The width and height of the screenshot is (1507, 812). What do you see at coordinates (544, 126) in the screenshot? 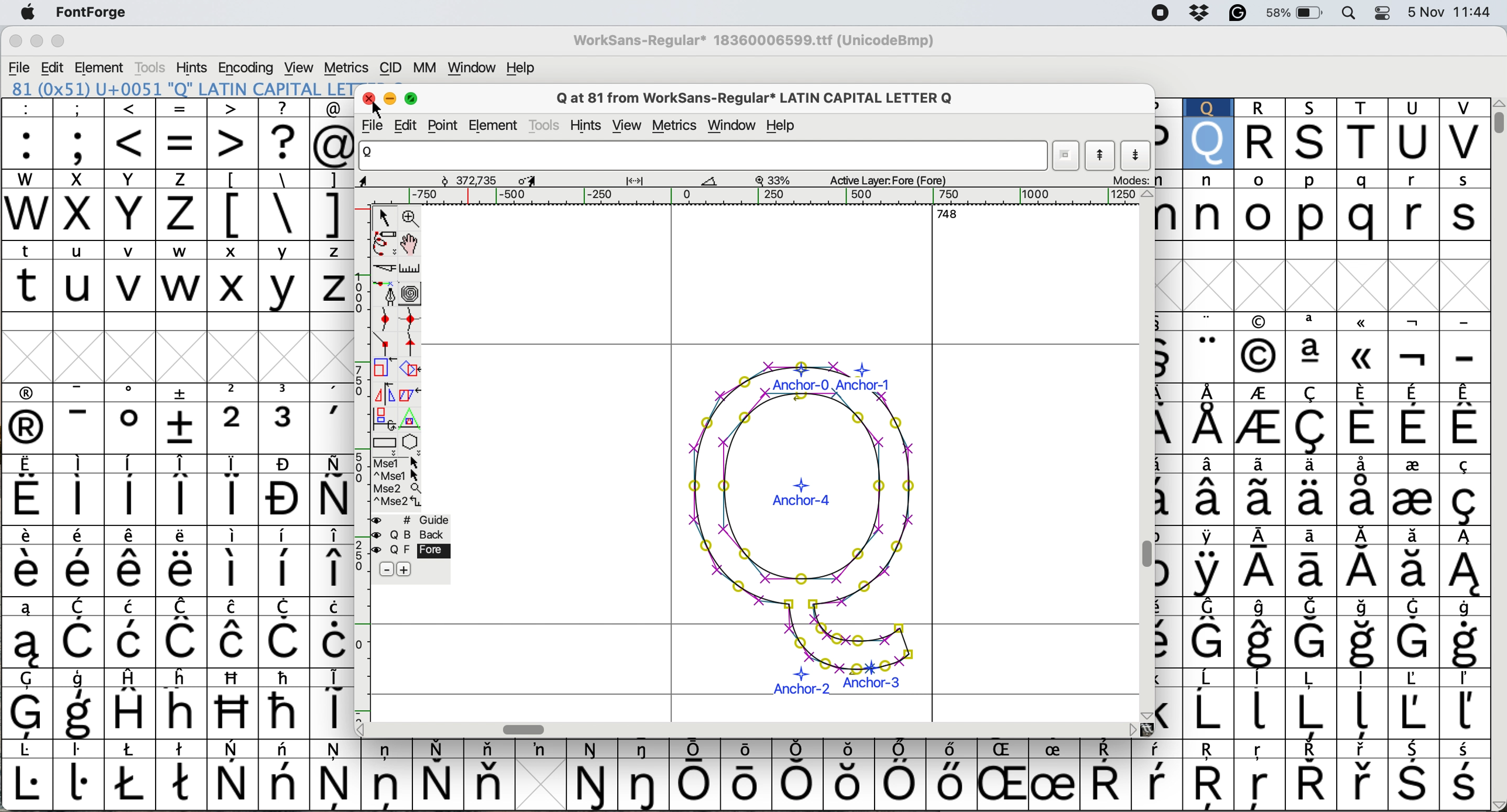
I see `tools` at bounding box center [544, 126].